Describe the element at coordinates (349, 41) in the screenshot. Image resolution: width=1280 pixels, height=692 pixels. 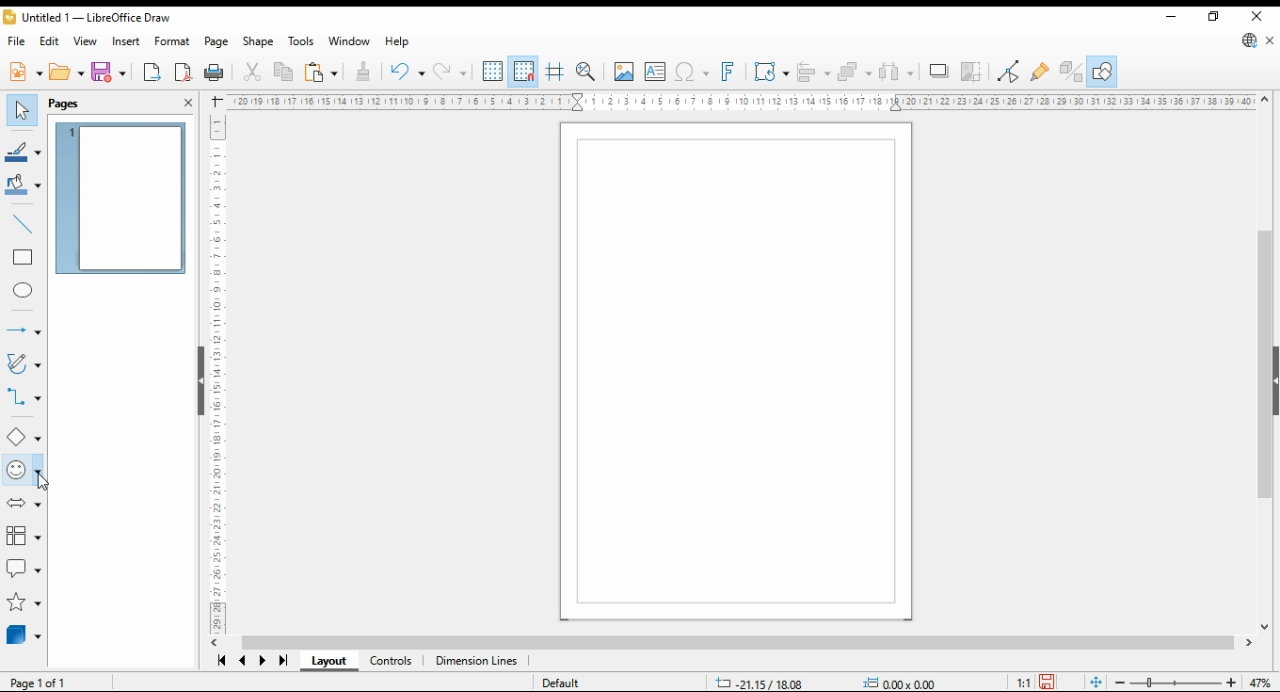
I see `window` at that location.